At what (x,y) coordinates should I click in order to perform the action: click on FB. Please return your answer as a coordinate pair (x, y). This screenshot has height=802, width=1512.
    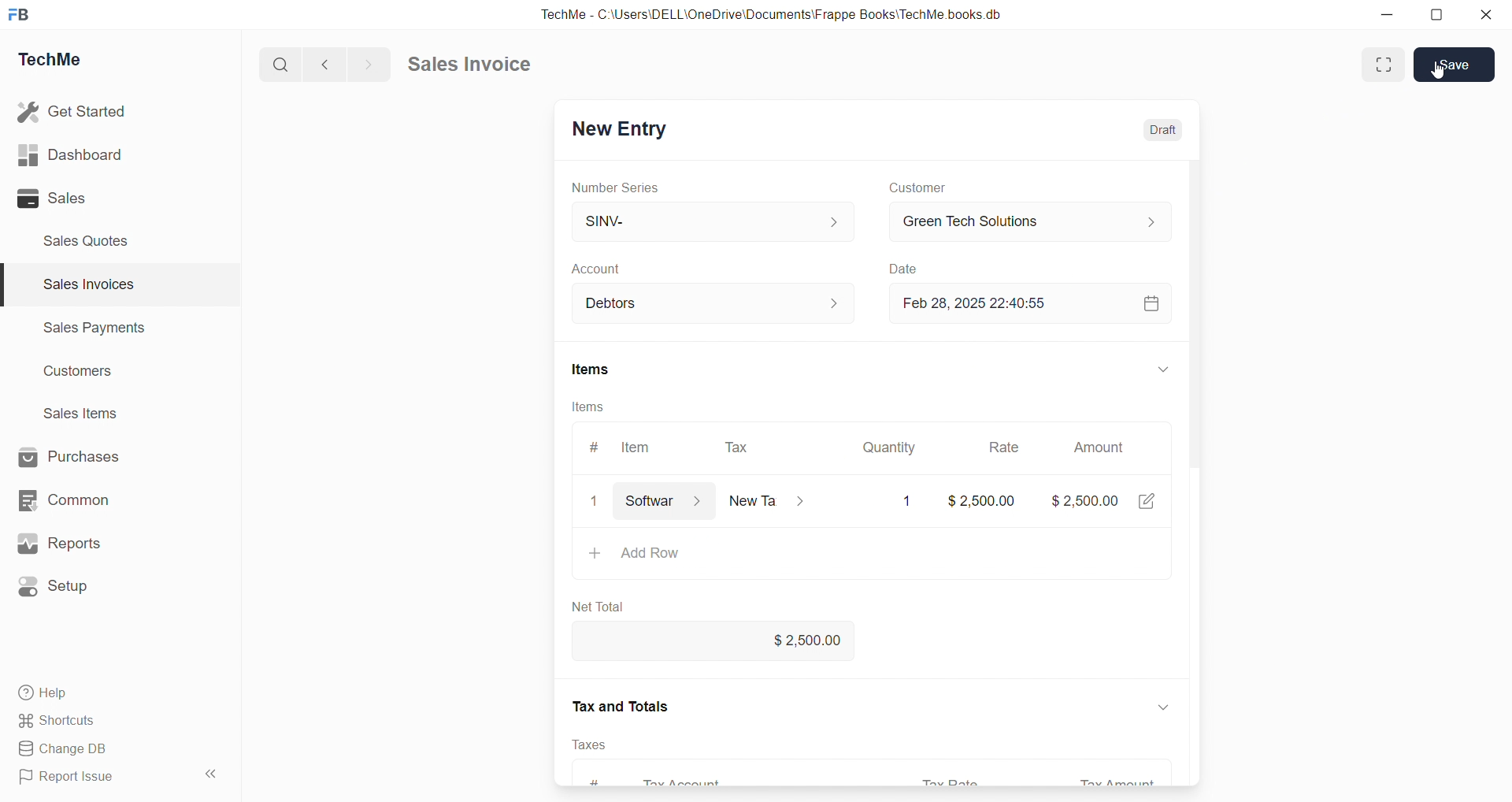
    Looking at the image, I should click on (19, 16).